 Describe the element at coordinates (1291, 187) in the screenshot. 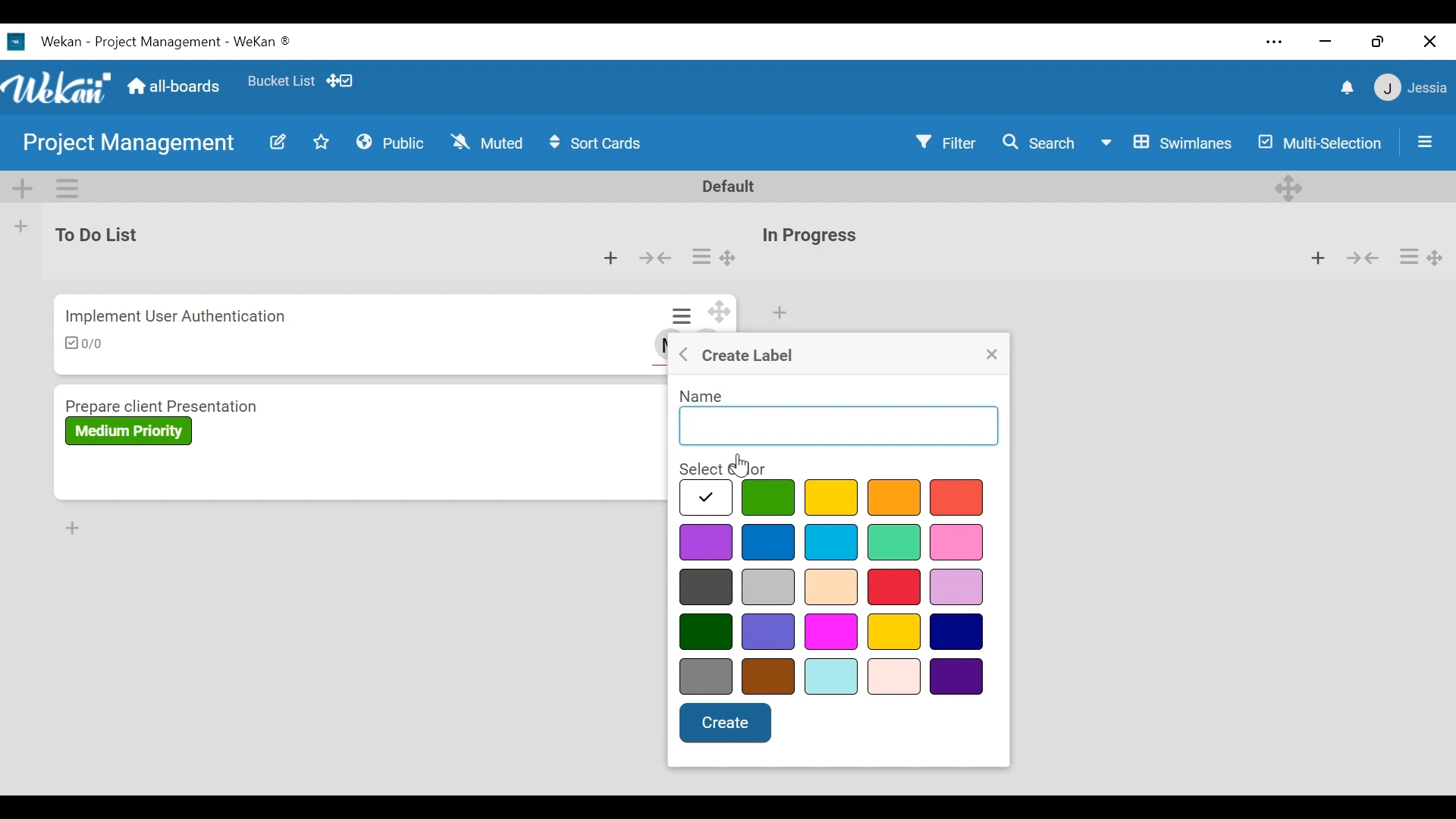

I see `Desktop drag handles` at that location.